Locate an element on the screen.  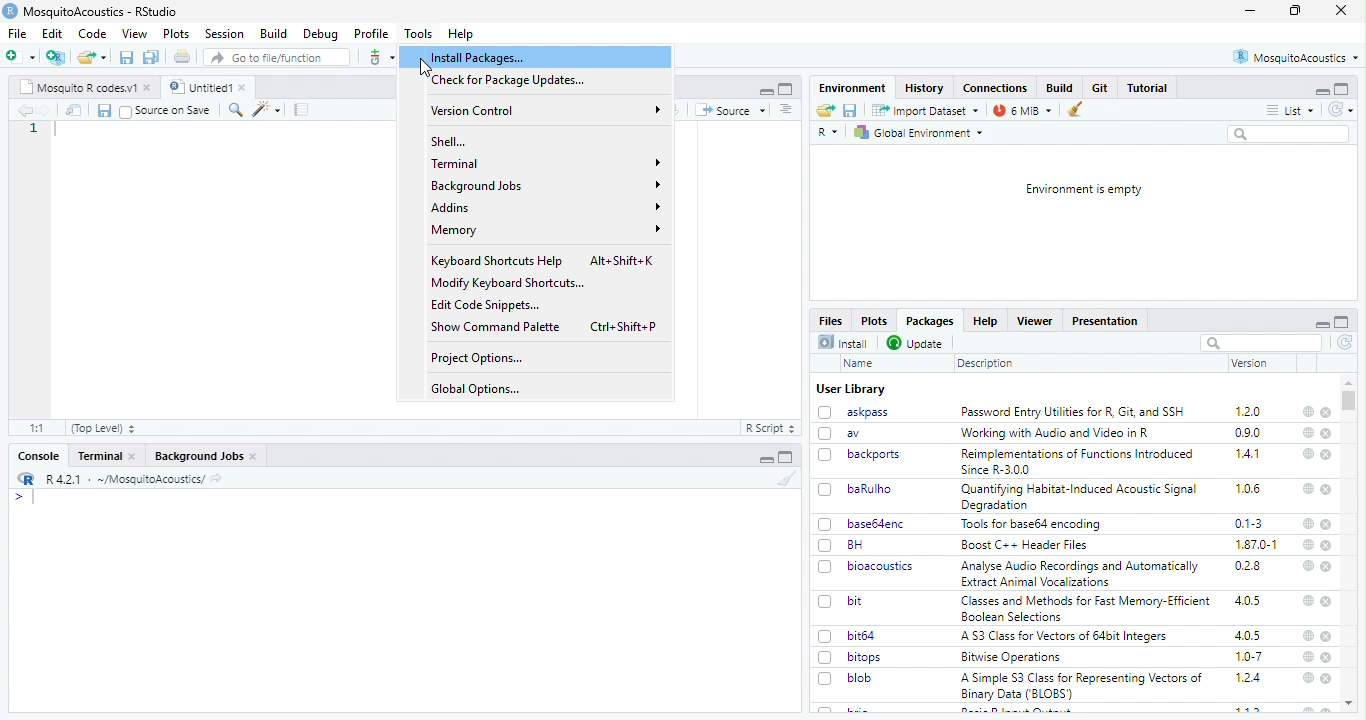
maiximize is located at coordinates (787, 457).